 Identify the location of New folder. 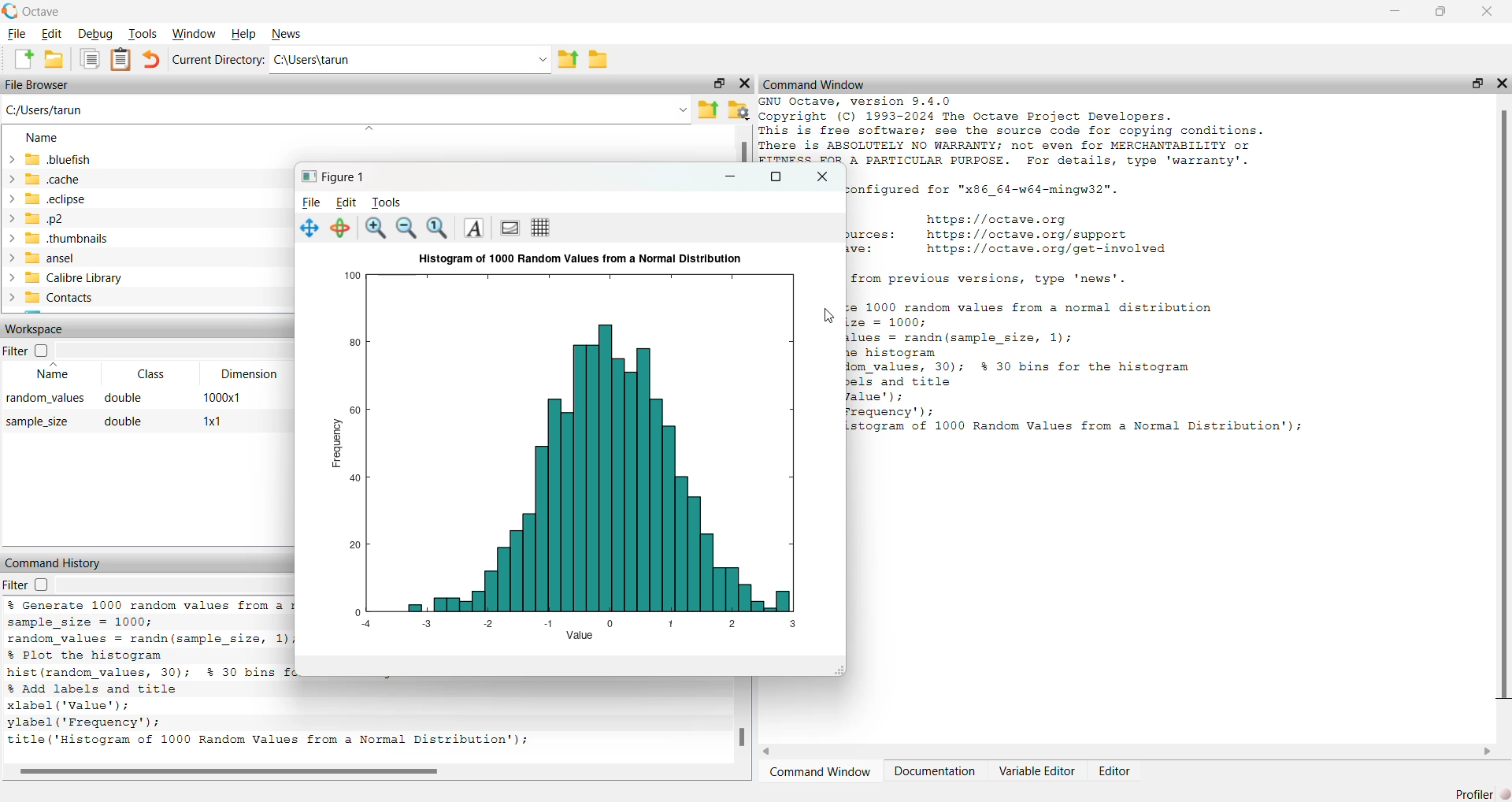
(54, 59).